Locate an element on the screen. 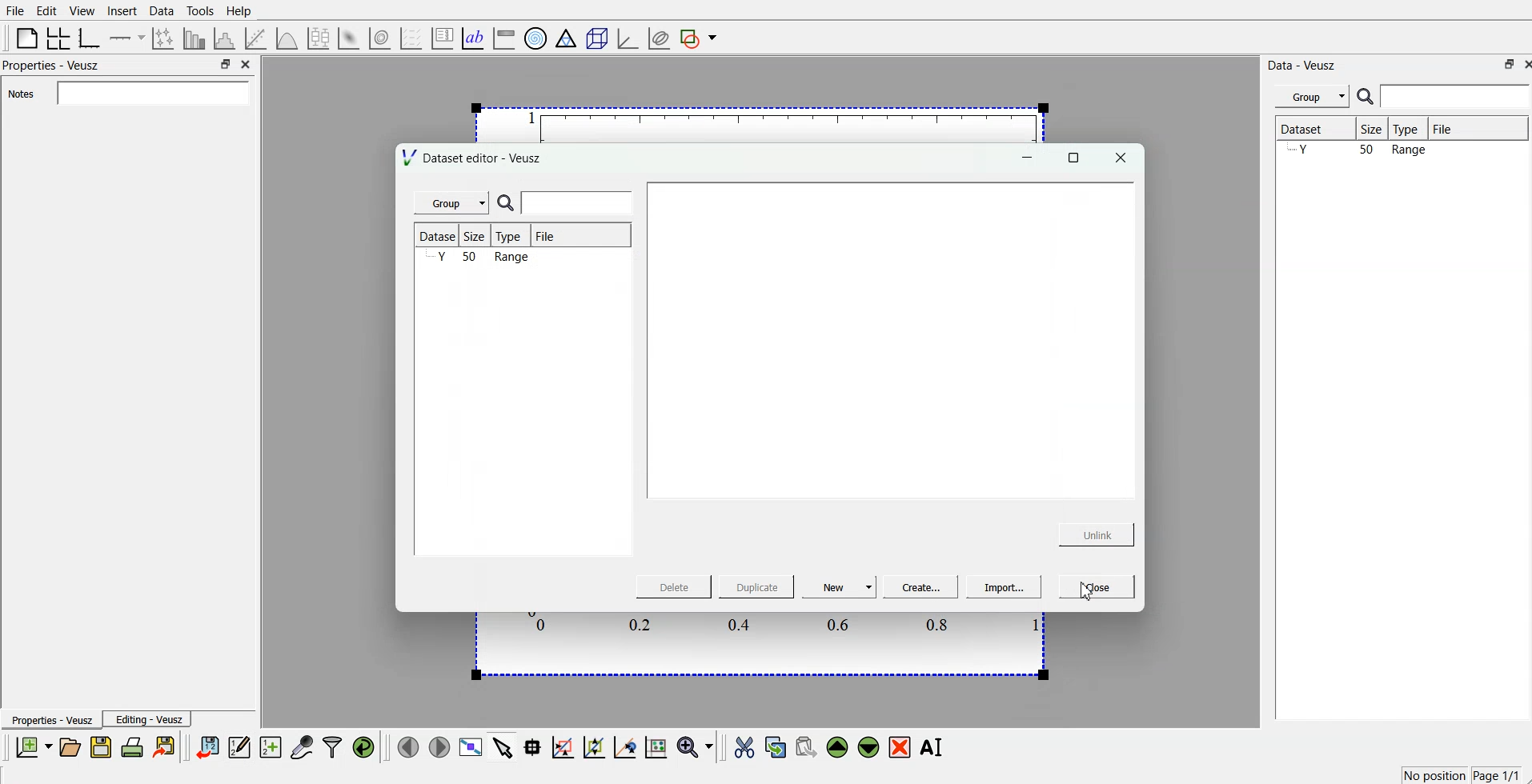 The image size is (1532, 784). move the selected widgets up is located at coordinates (839, 747).